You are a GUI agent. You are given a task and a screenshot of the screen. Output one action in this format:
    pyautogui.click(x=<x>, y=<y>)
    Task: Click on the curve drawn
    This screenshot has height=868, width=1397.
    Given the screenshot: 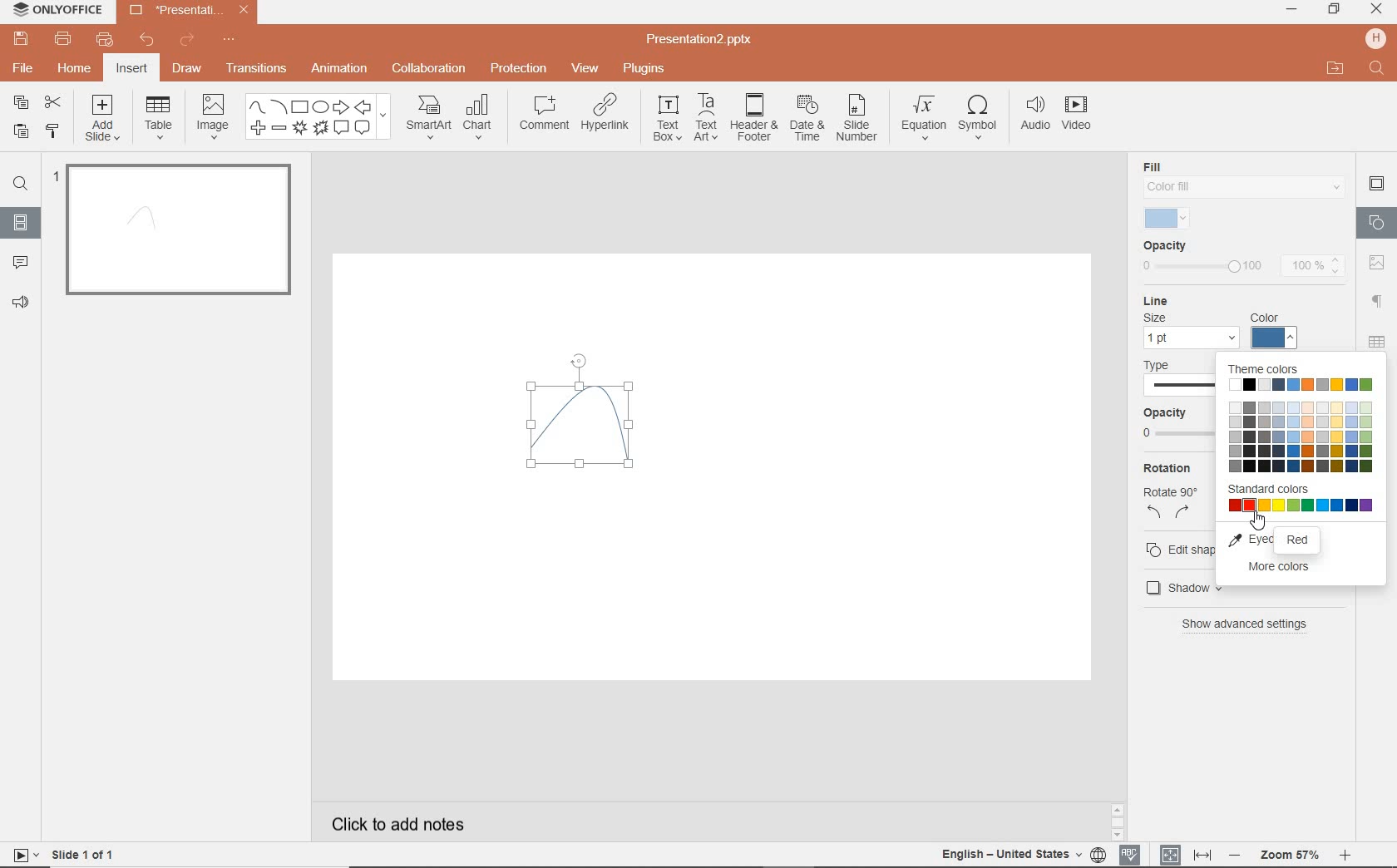 What is the action you would take?
    pyautogui.click(x=587, y=411)
    